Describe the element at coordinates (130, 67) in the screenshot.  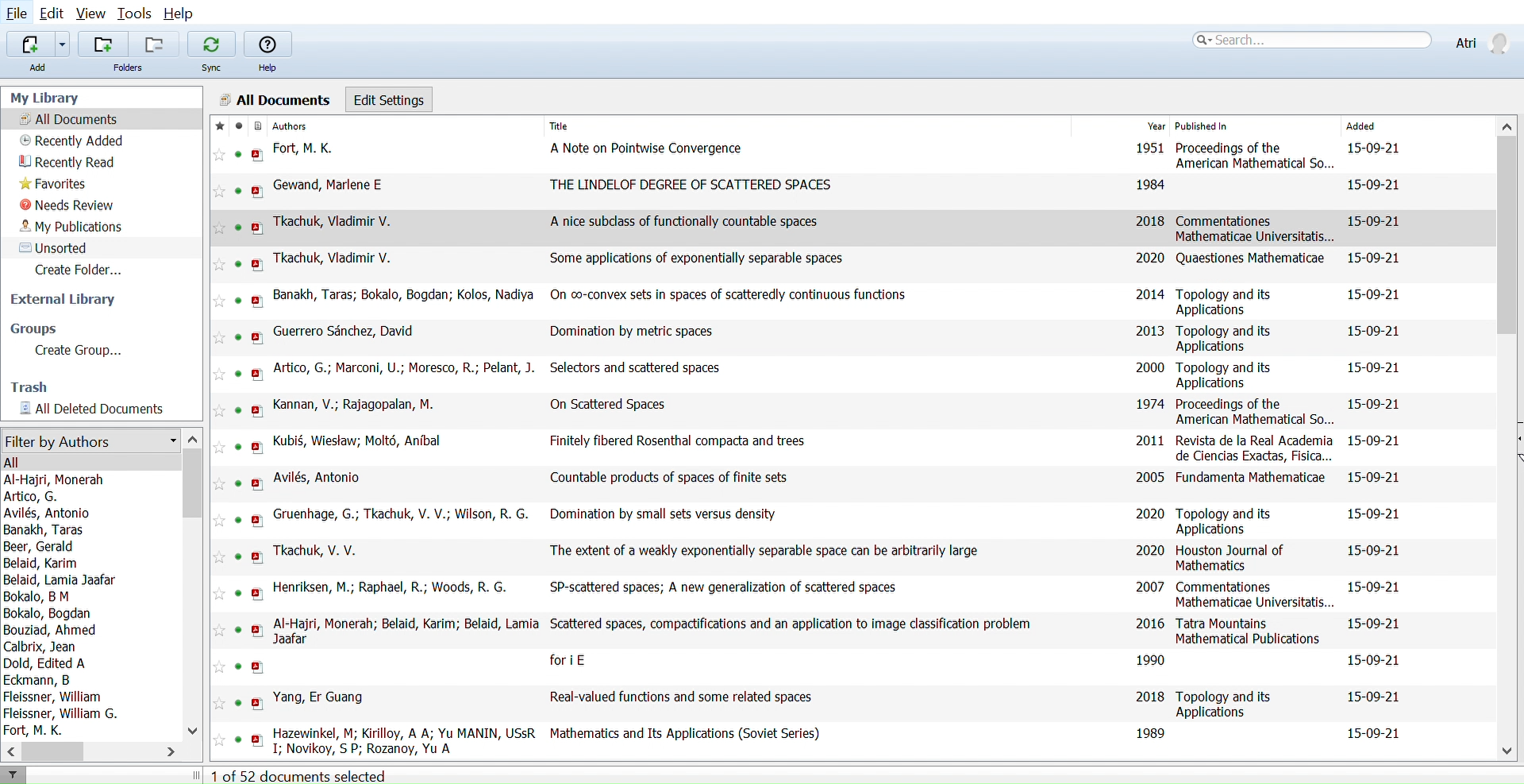
I see `Folders` at that location.